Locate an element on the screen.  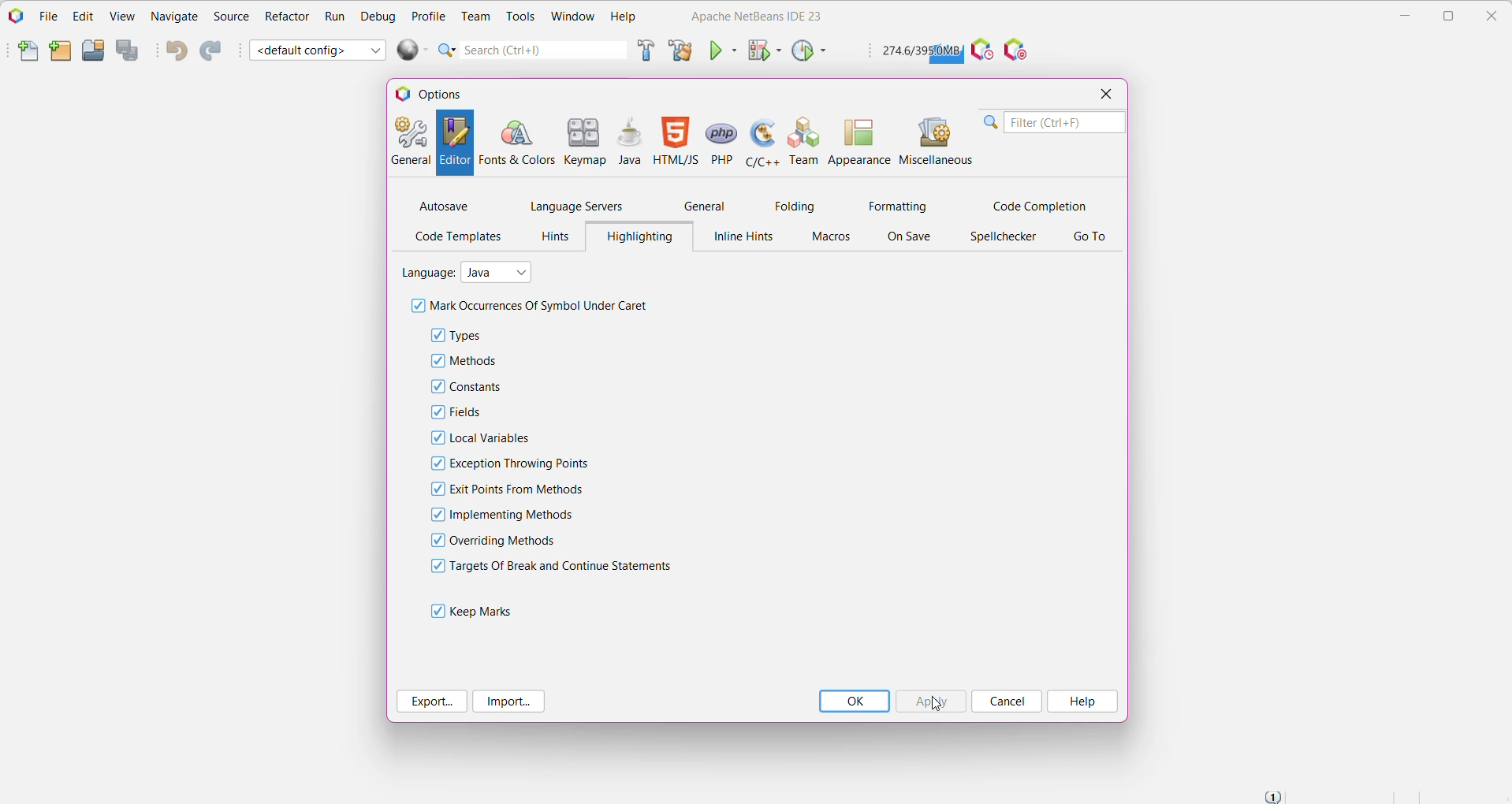
Minimize is located at coordinates (1401, 16).